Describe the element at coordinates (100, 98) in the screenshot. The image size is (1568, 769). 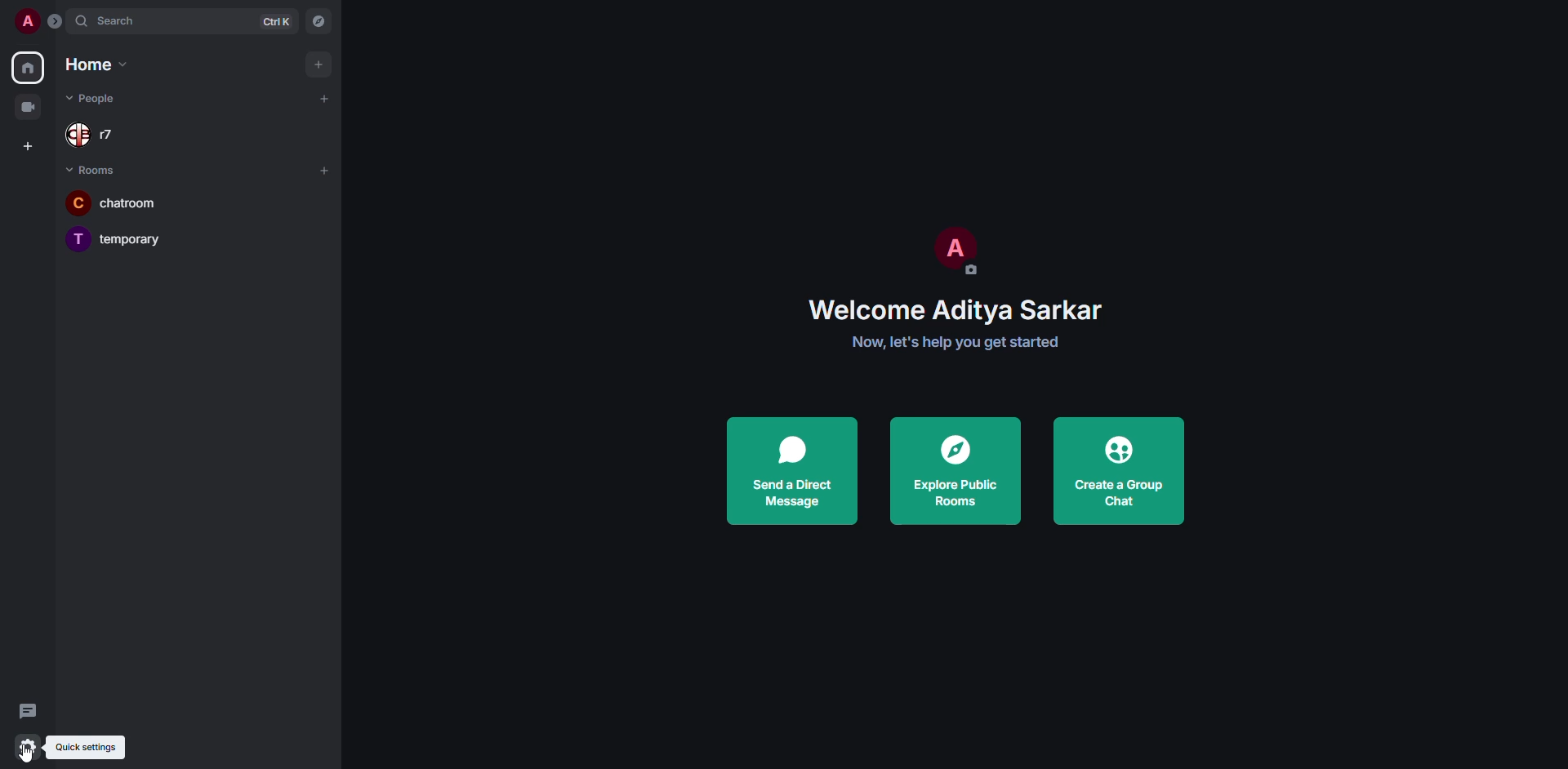
I see `people` at that location.